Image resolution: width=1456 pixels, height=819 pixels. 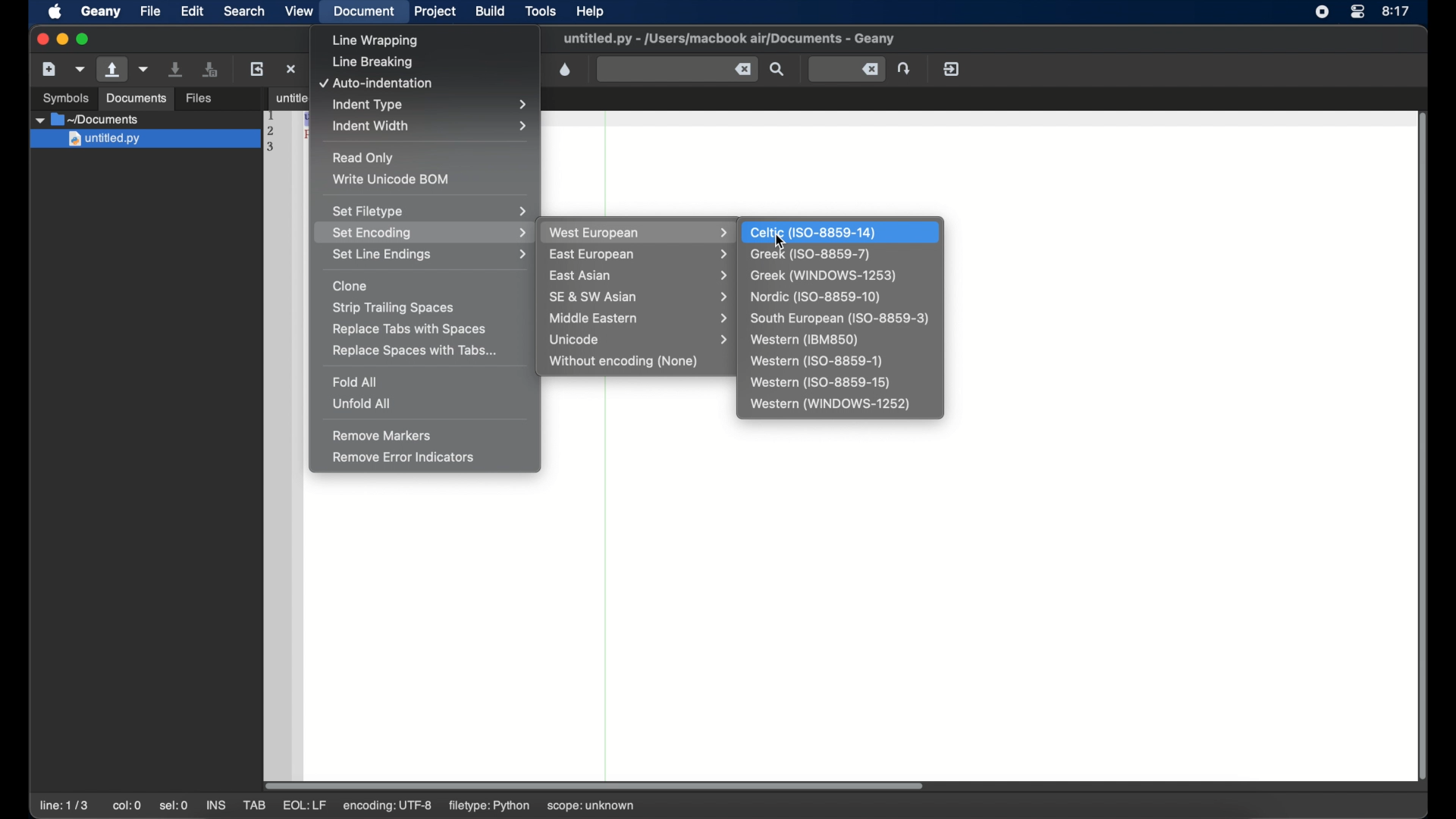 What do you see at coordinates (393, 179) in the screenshot?
I see `write unicode bom` at bounding box center [393, 179].